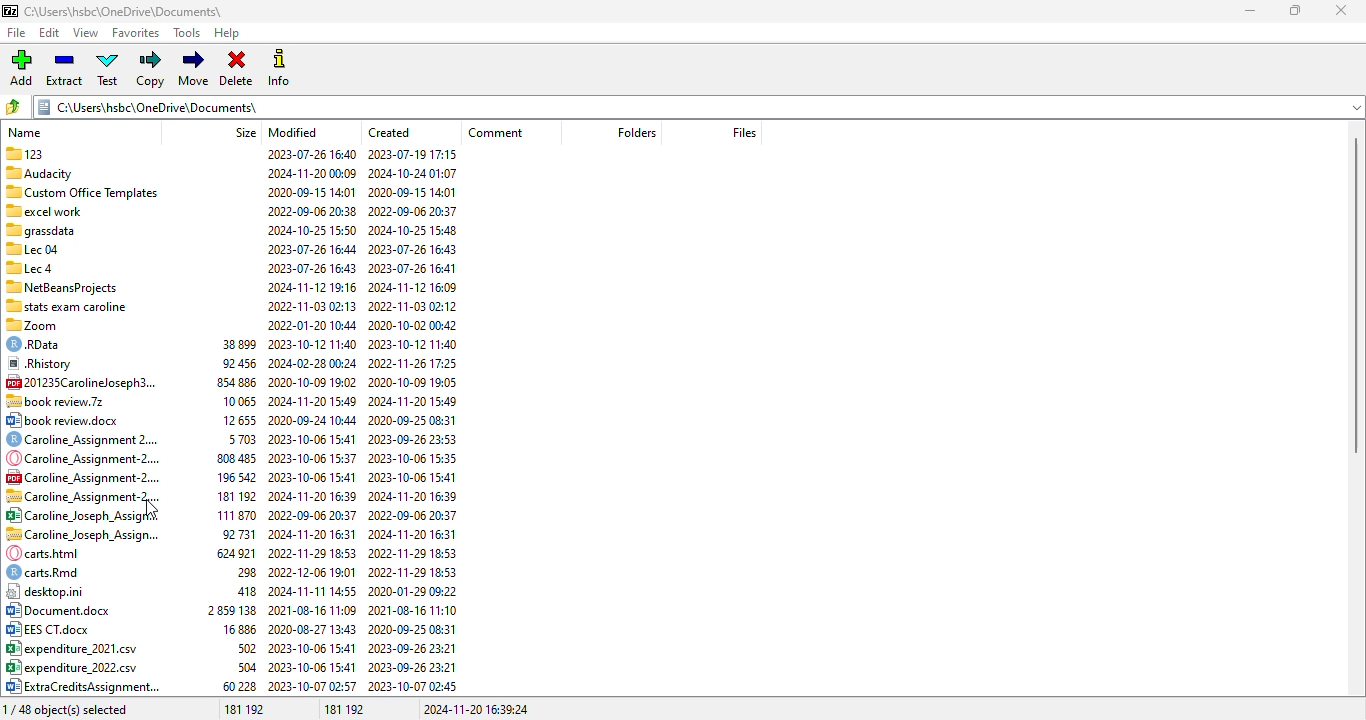  I want to click on maximize, so click(1295, 11).